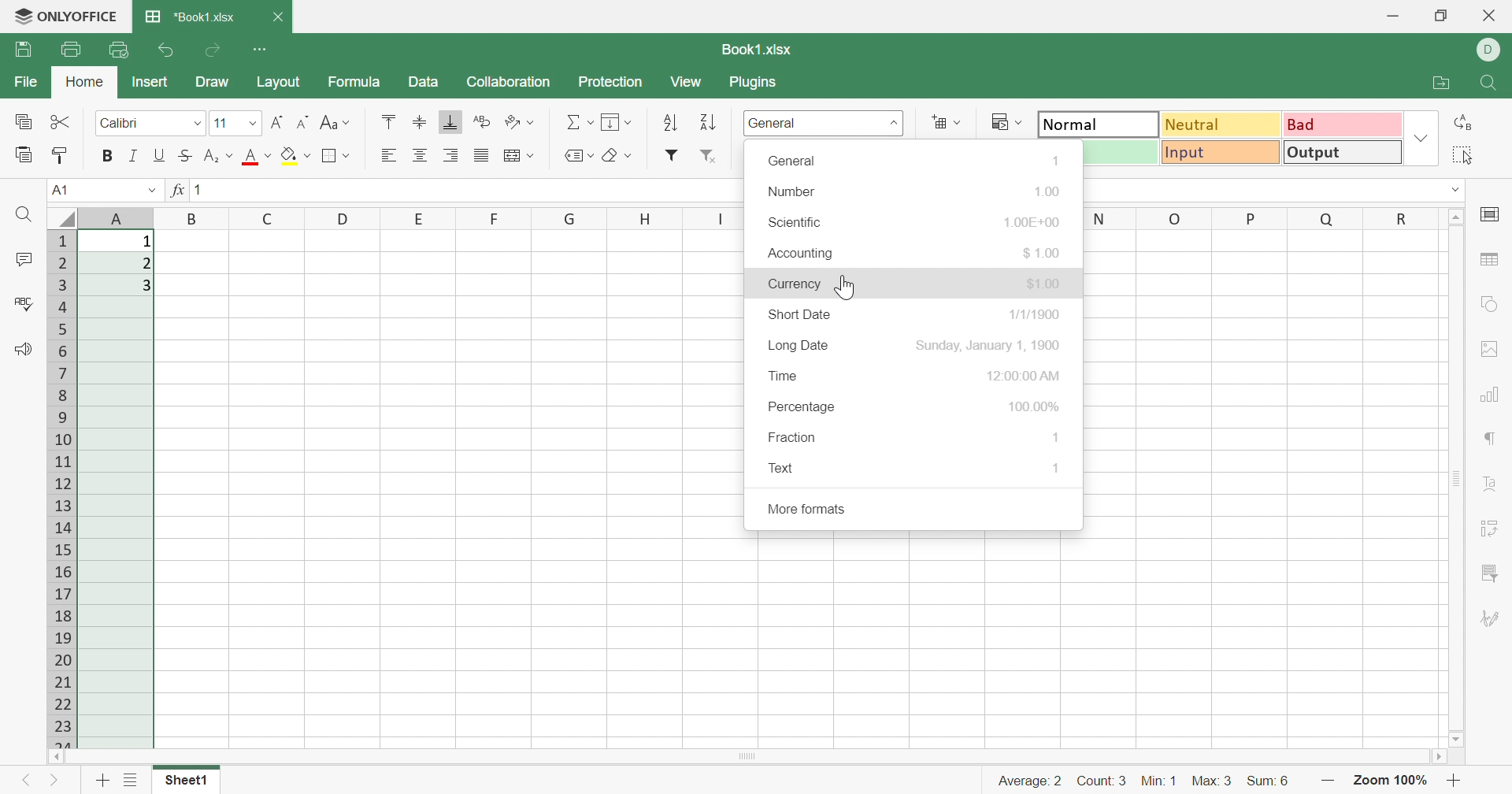 The height and width of the screenshot is (794, 1512). What do you see at coordinates (1035, 314) in the screenshot?
I see `1/1//1900` at bounding box center [1035, 314].